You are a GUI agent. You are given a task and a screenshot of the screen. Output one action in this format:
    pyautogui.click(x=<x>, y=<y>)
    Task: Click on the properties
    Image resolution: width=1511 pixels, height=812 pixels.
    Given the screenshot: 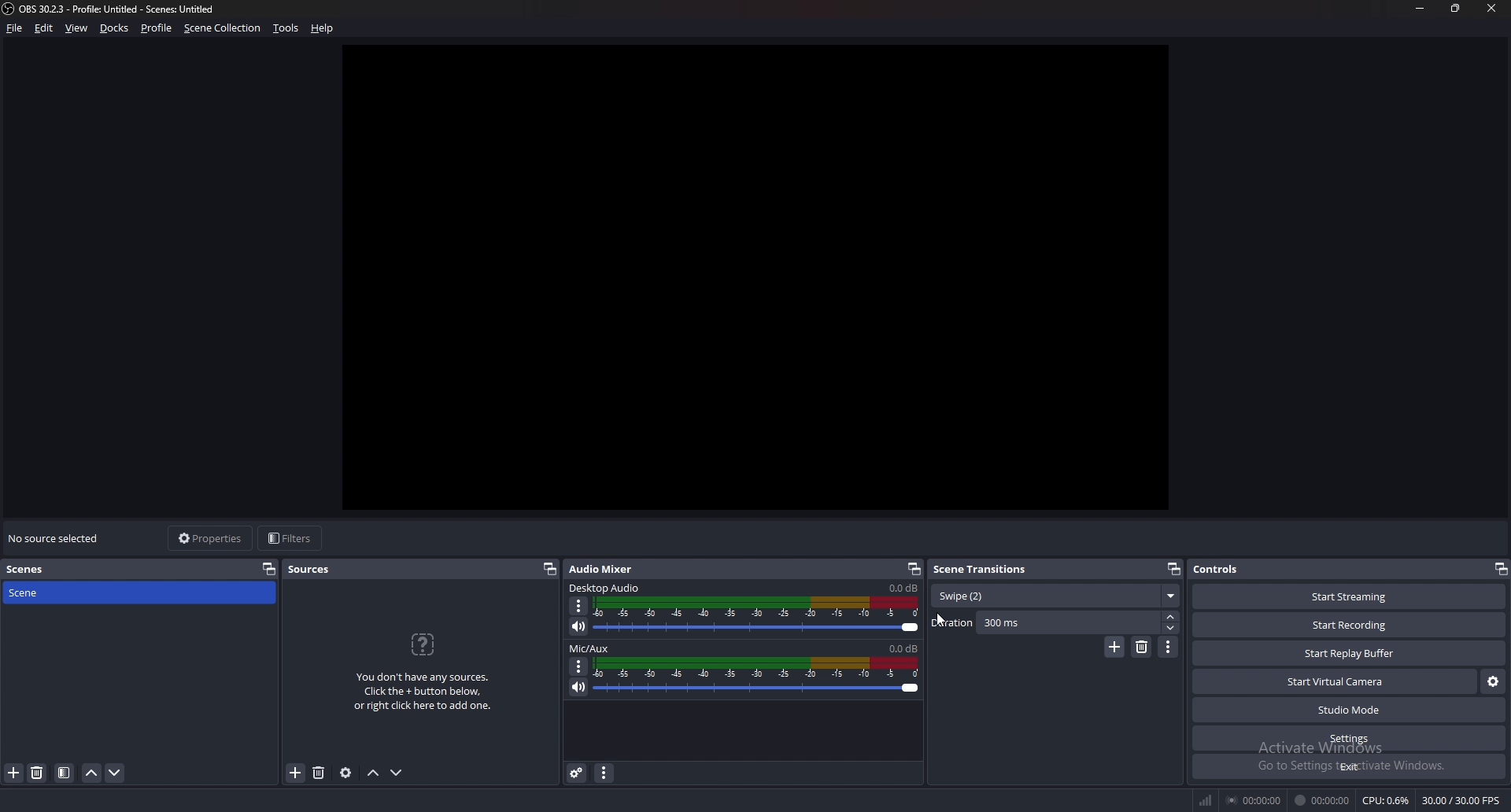 What is the action you would take?
    pyautogui.click(x=212, y=539)
    